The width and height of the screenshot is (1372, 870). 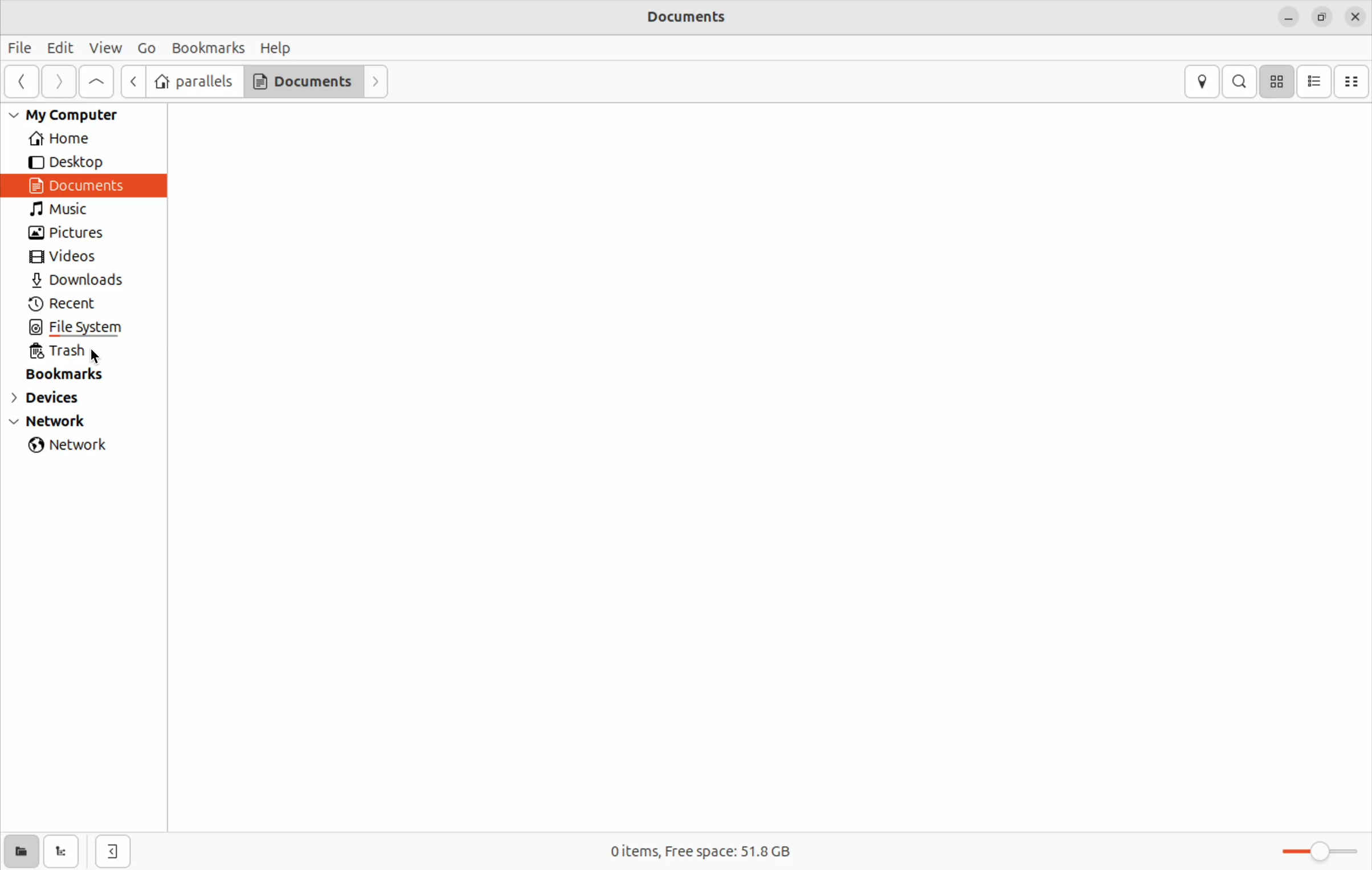 I want to click on my computer, so click(x=75, y=115).